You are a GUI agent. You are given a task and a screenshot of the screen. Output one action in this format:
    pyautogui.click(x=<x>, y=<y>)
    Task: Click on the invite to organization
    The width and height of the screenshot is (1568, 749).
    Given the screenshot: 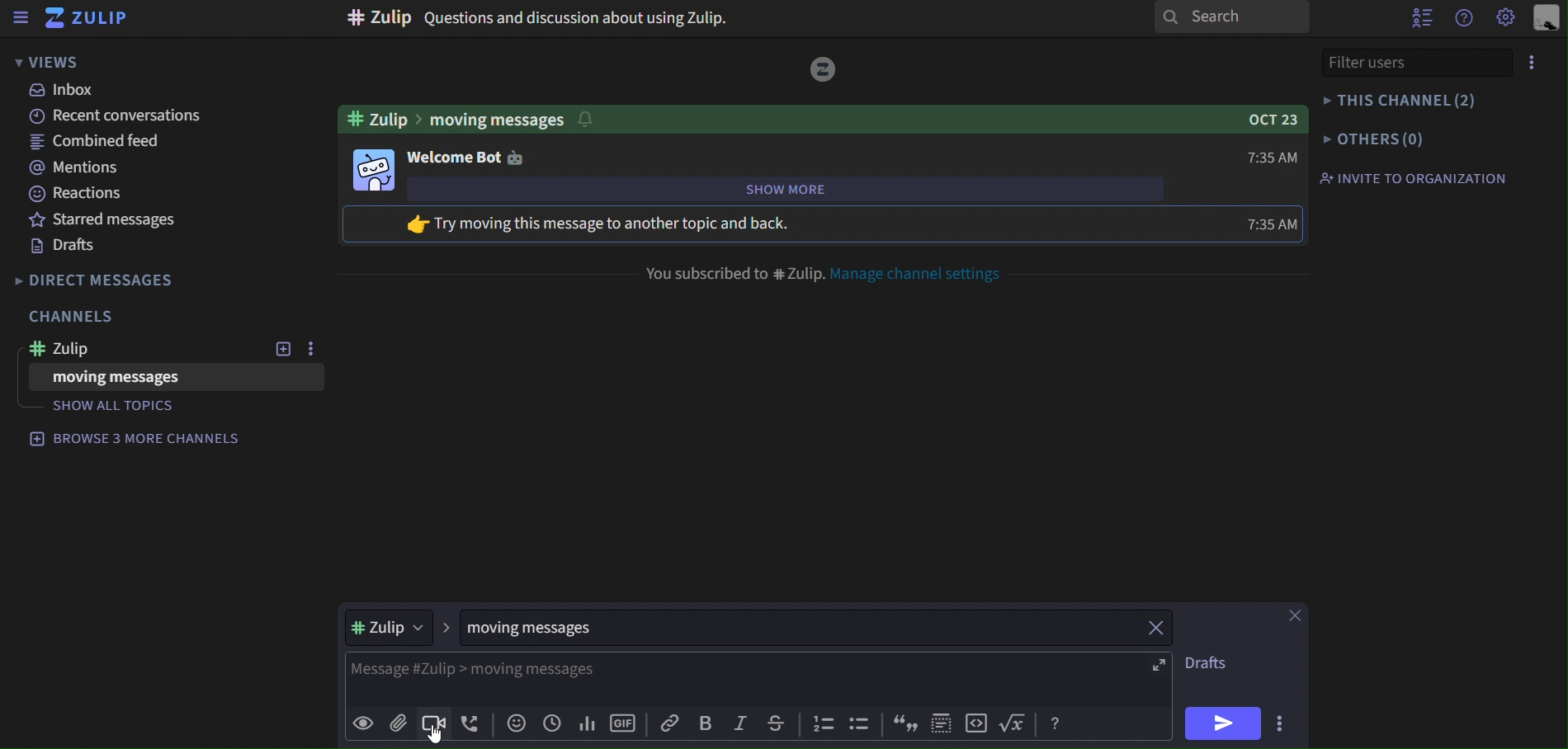 What is the action you would take?
    pyautogui.click(x=1416, y=177)
    